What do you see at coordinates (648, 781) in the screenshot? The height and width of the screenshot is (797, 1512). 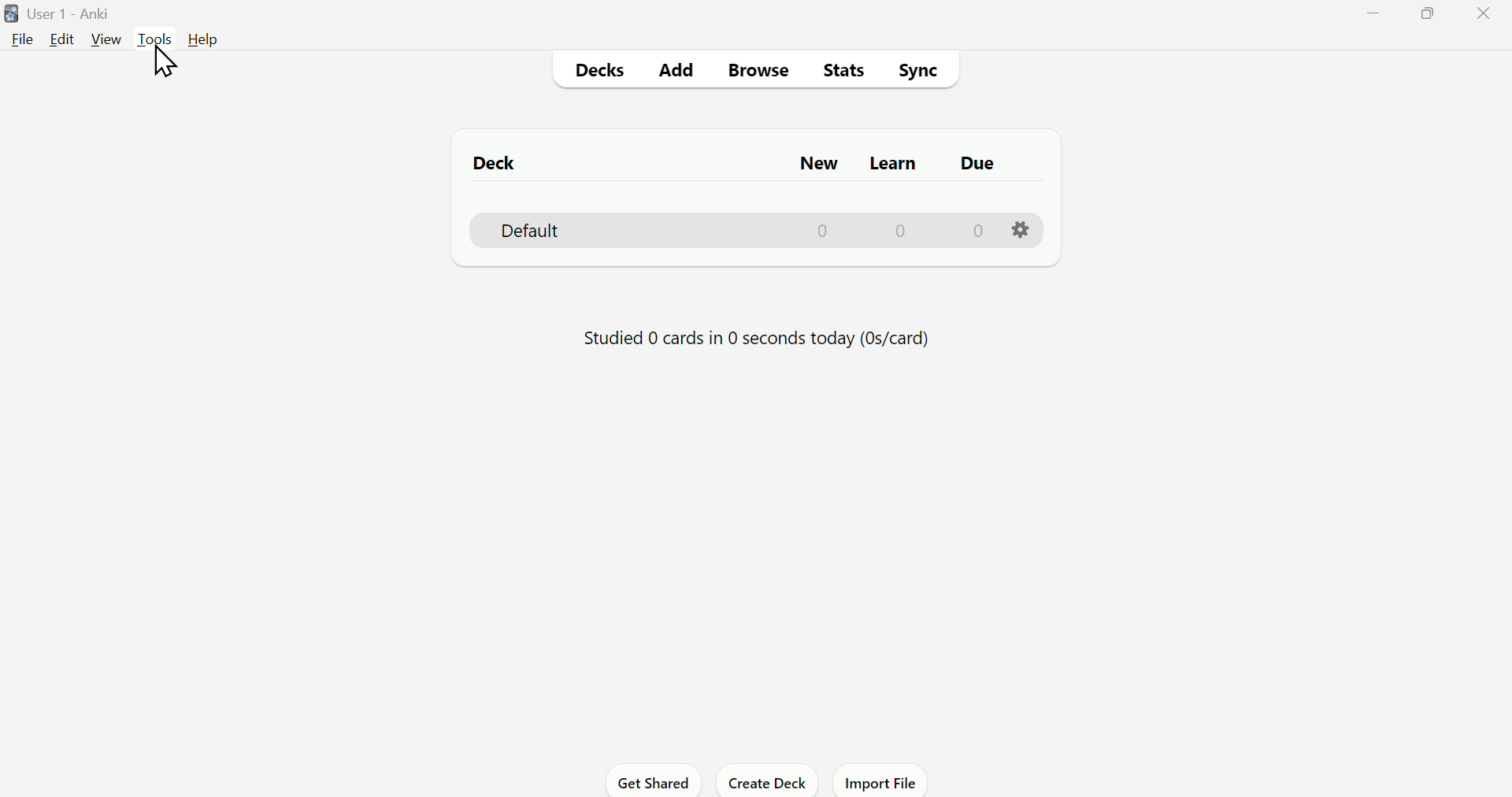 I see `Get Shared` at bounding box center [648, 781].